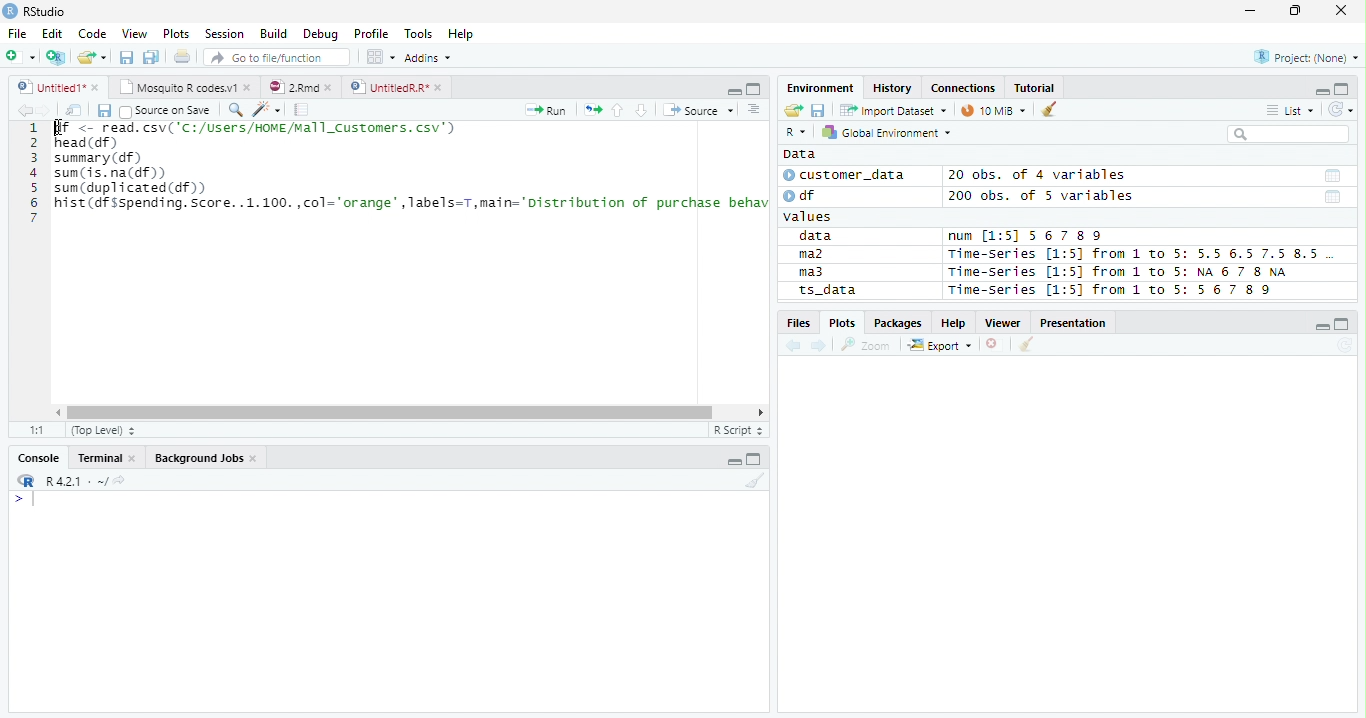 This screenshot has height=718, width=1366. Describe the element at coordinates (16, 33) in the screenshot. I see `File` at that location.